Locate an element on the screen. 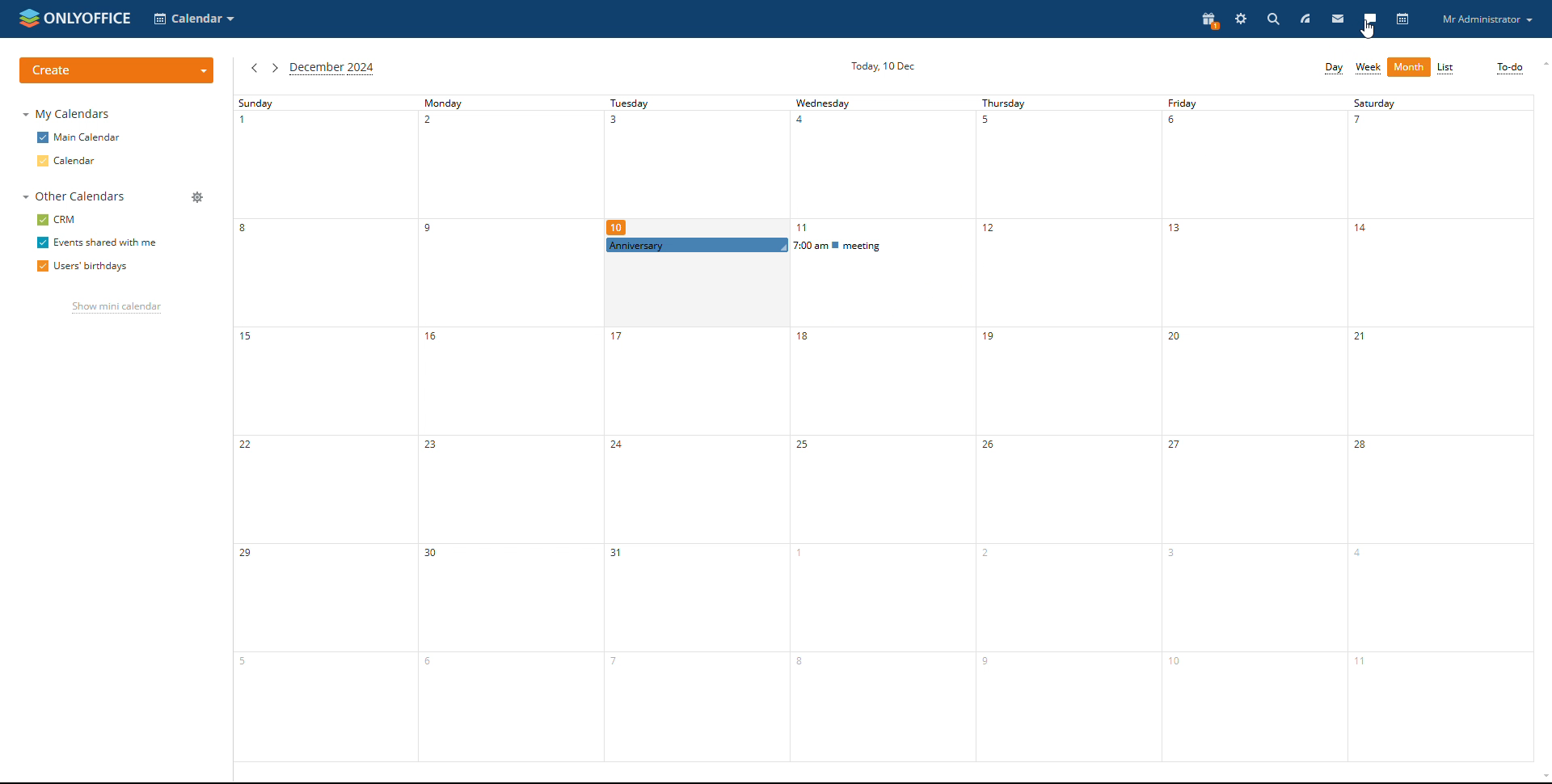  settings is located at coordinates (1241, 19).